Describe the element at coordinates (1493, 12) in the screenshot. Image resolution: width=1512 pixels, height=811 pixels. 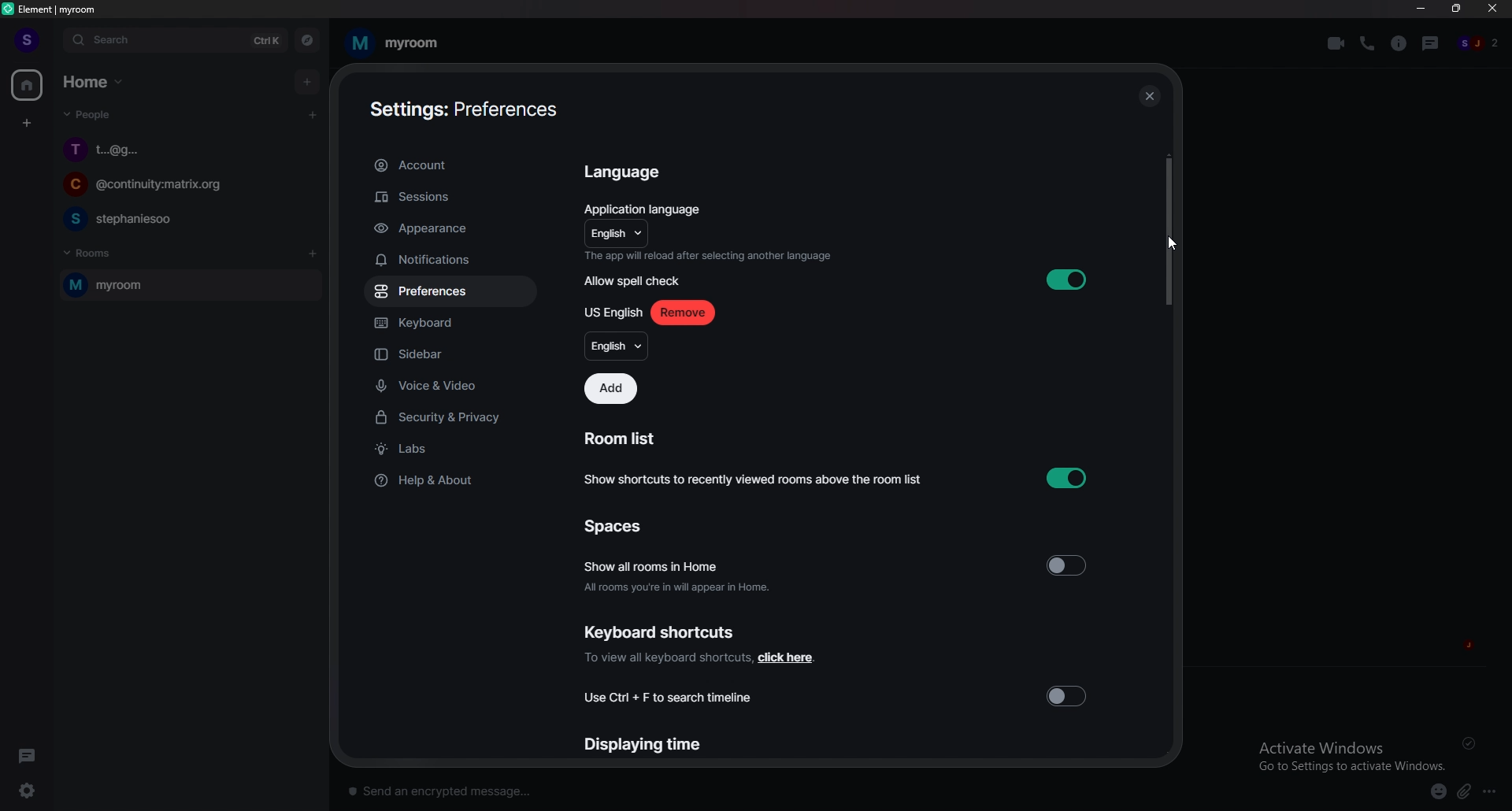
I see `close` at that location.